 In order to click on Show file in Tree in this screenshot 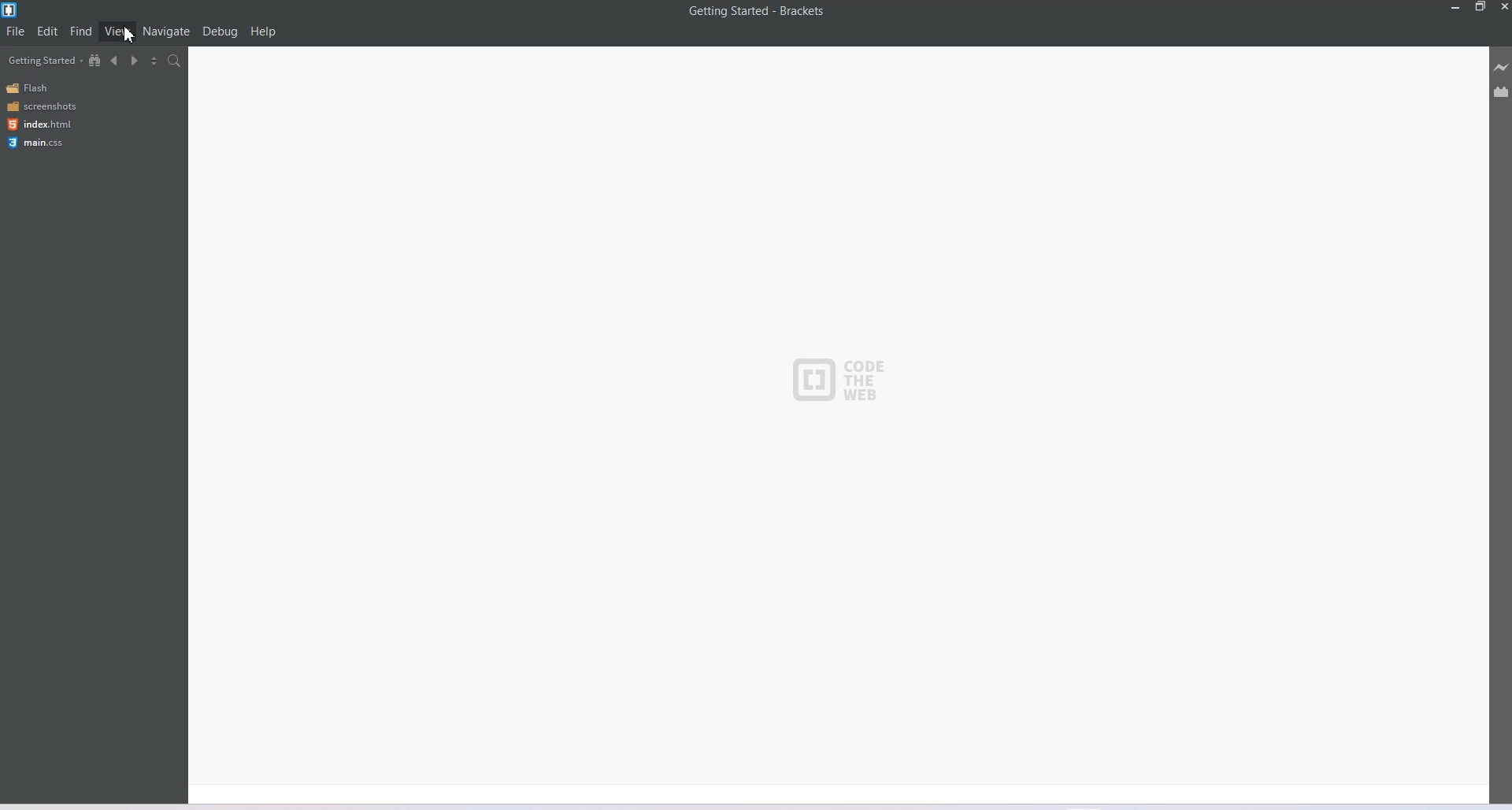, I will do `click(95, 59)`.